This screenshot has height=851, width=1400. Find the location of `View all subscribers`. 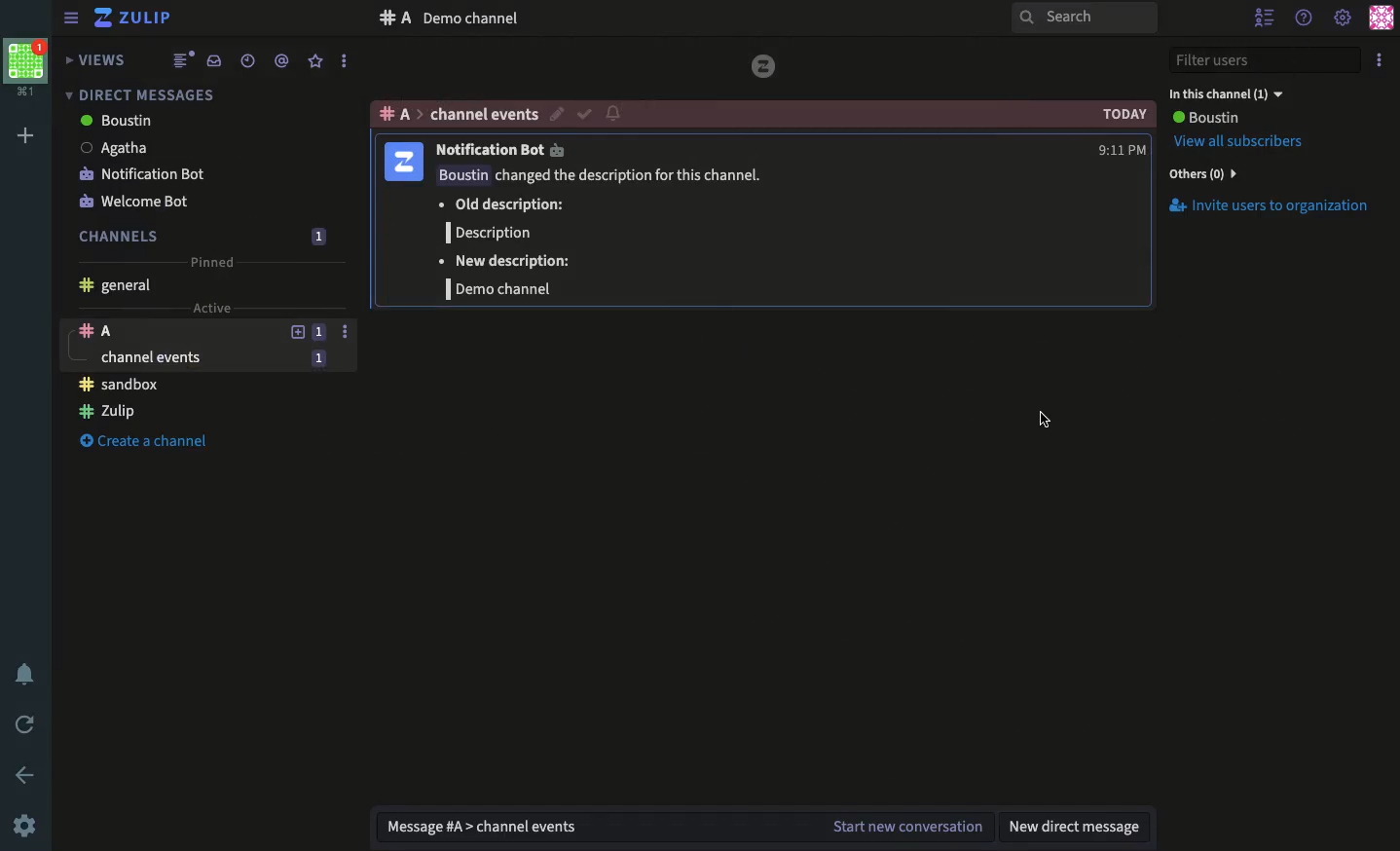

View all subscribers is located at coordinates (1239, 142).